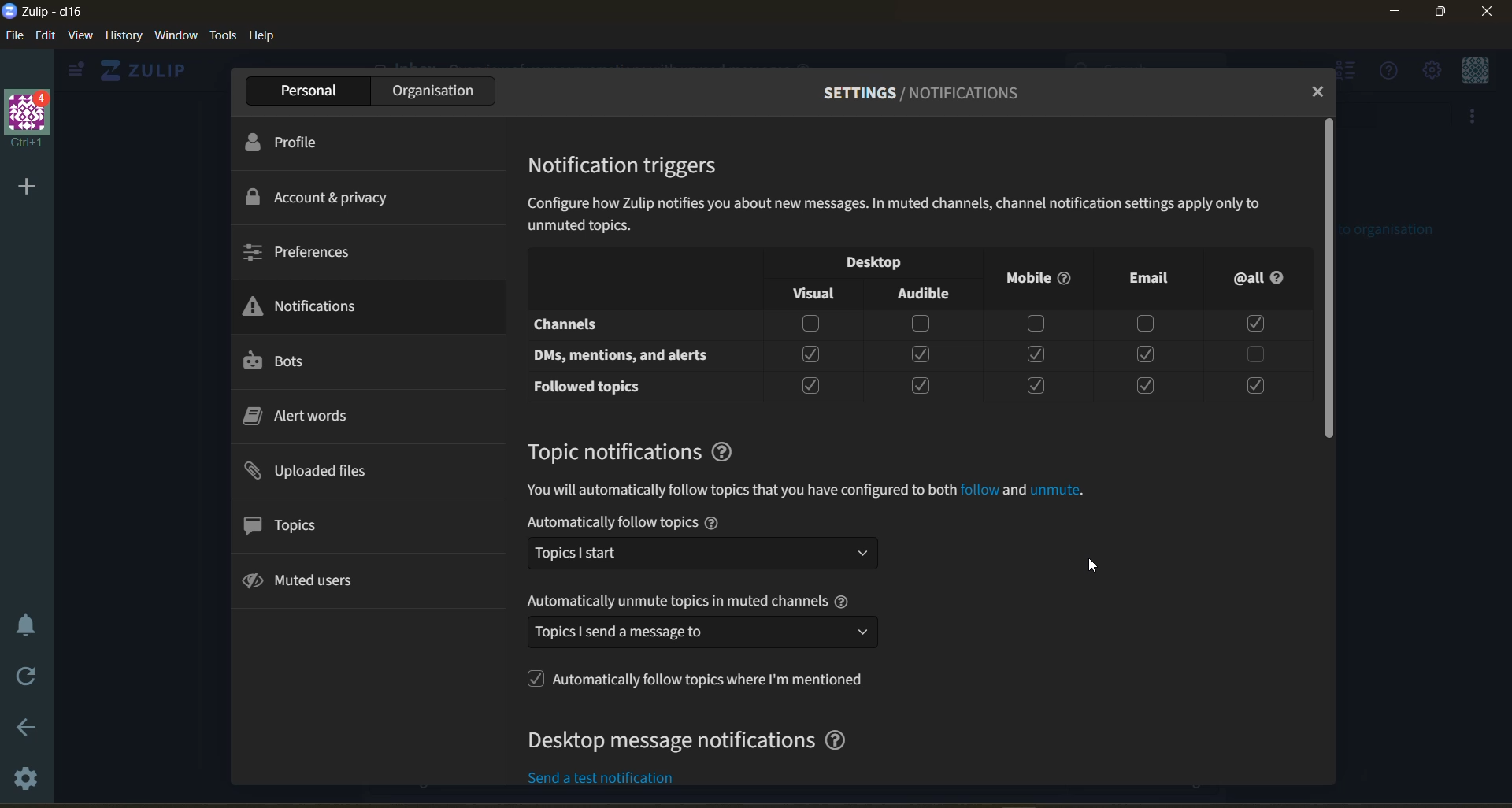  I want to click on preferences, so click(301, 254).